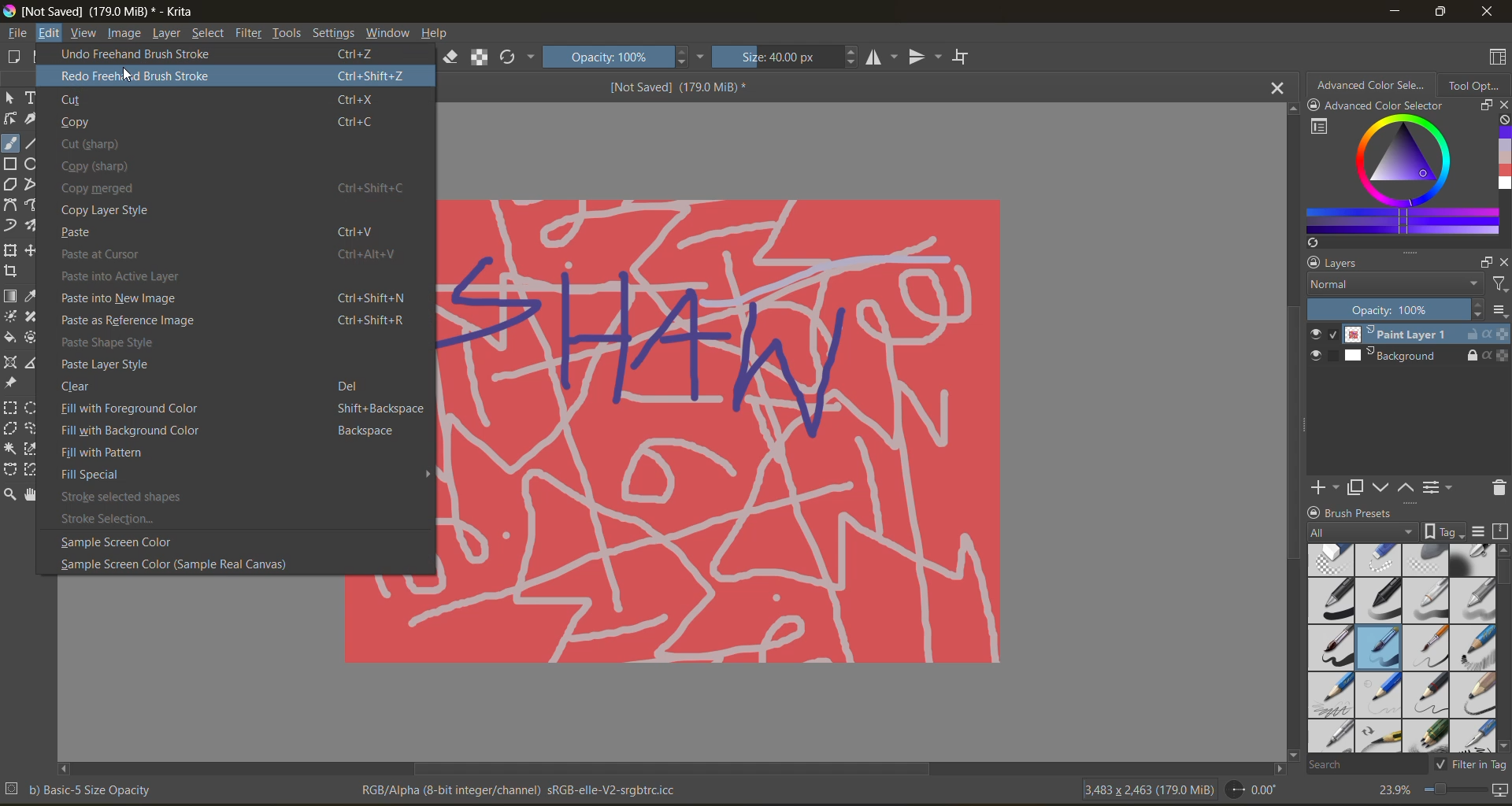 The height and width of the screenshot is (806, 1512). What do you see at coordinates (925, 57) in the screenshot?
I see `vertical flip` at bounding box center [925, 57].